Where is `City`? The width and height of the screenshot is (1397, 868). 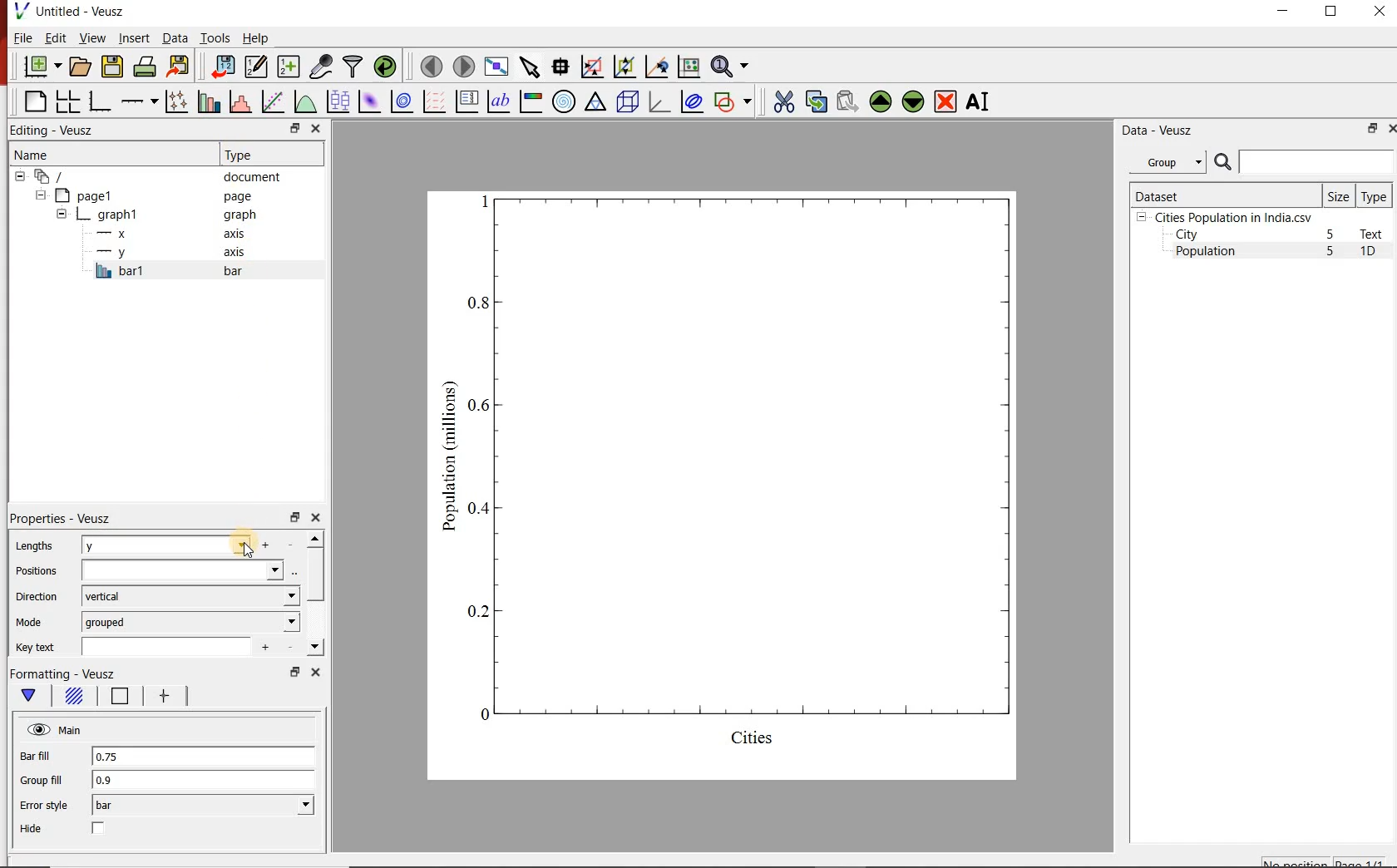
City is located at coordinates (1187, 234).